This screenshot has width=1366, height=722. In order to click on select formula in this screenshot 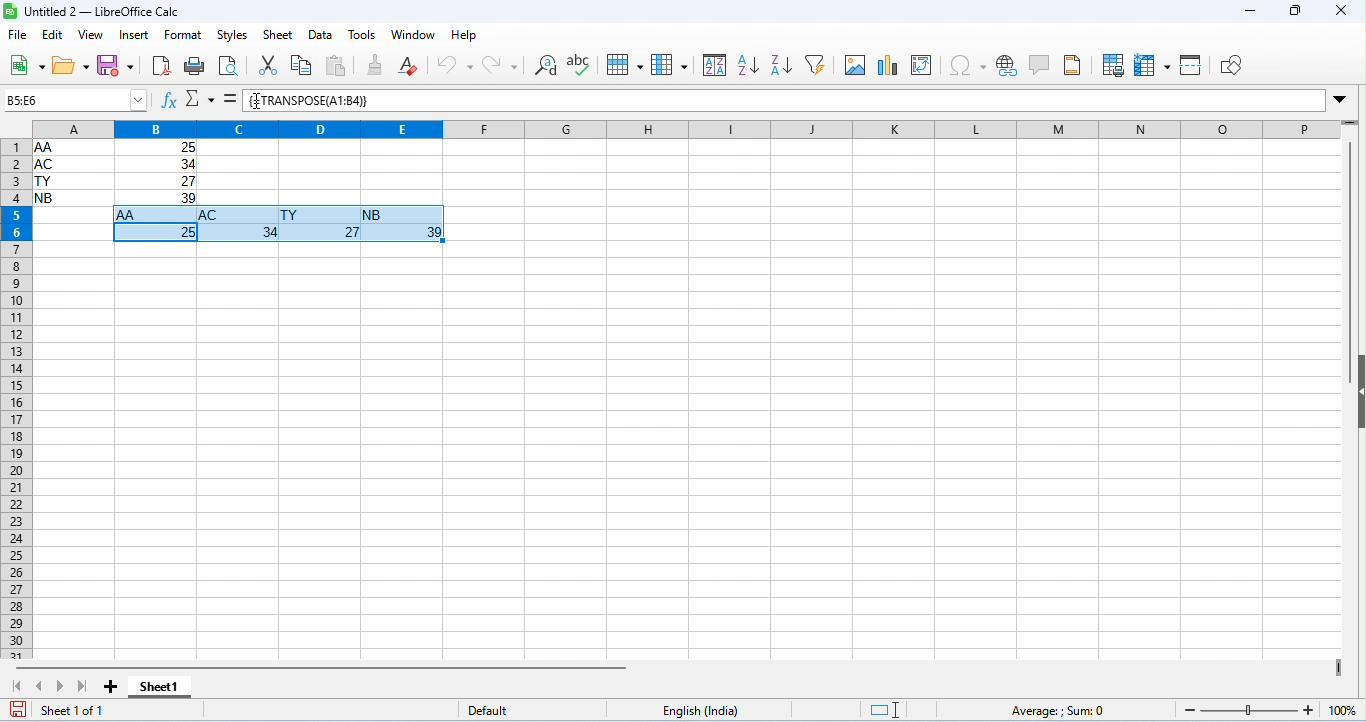, I will do `click(76, 101)`.